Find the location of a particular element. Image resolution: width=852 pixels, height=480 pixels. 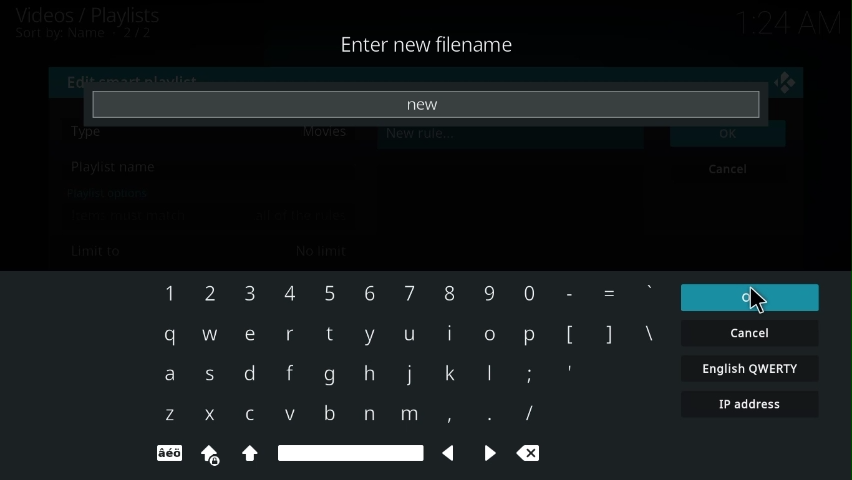

y is located at coordinates (367, 336).